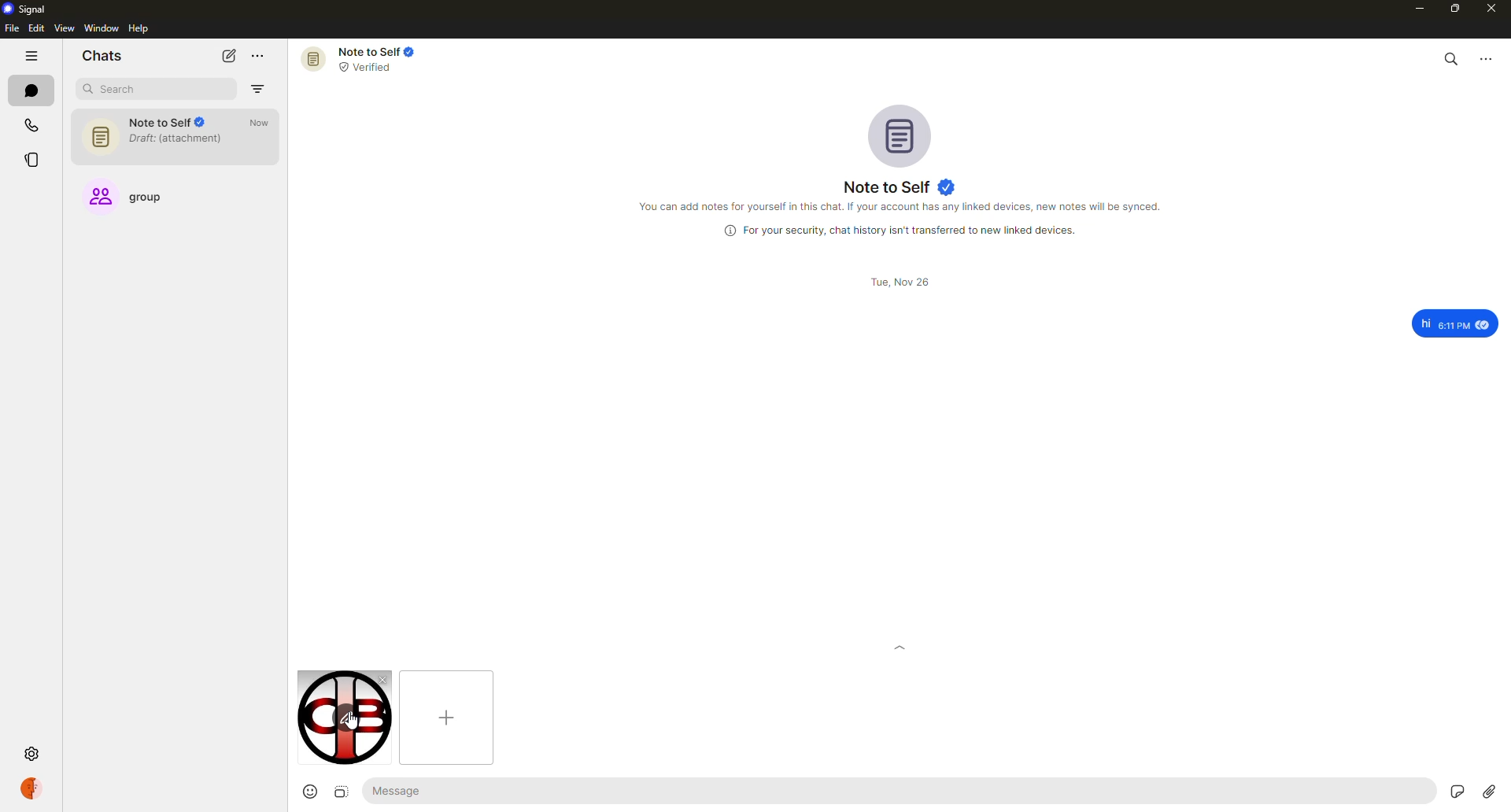  What do you see at coordinates (1494, 10) in the screenshot?
I see `close` at bounding box center [1494, 10].